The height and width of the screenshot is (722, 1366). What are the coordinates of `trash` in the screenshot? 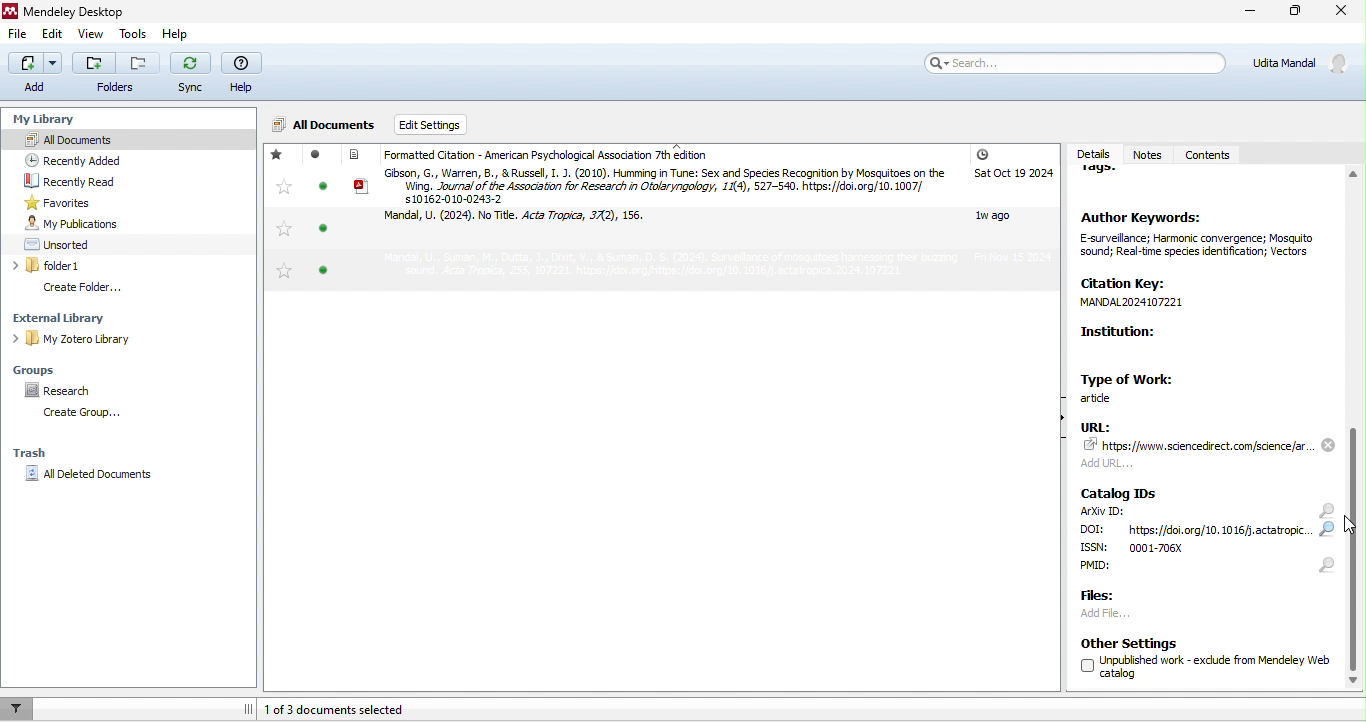 It's located at (43, 450).